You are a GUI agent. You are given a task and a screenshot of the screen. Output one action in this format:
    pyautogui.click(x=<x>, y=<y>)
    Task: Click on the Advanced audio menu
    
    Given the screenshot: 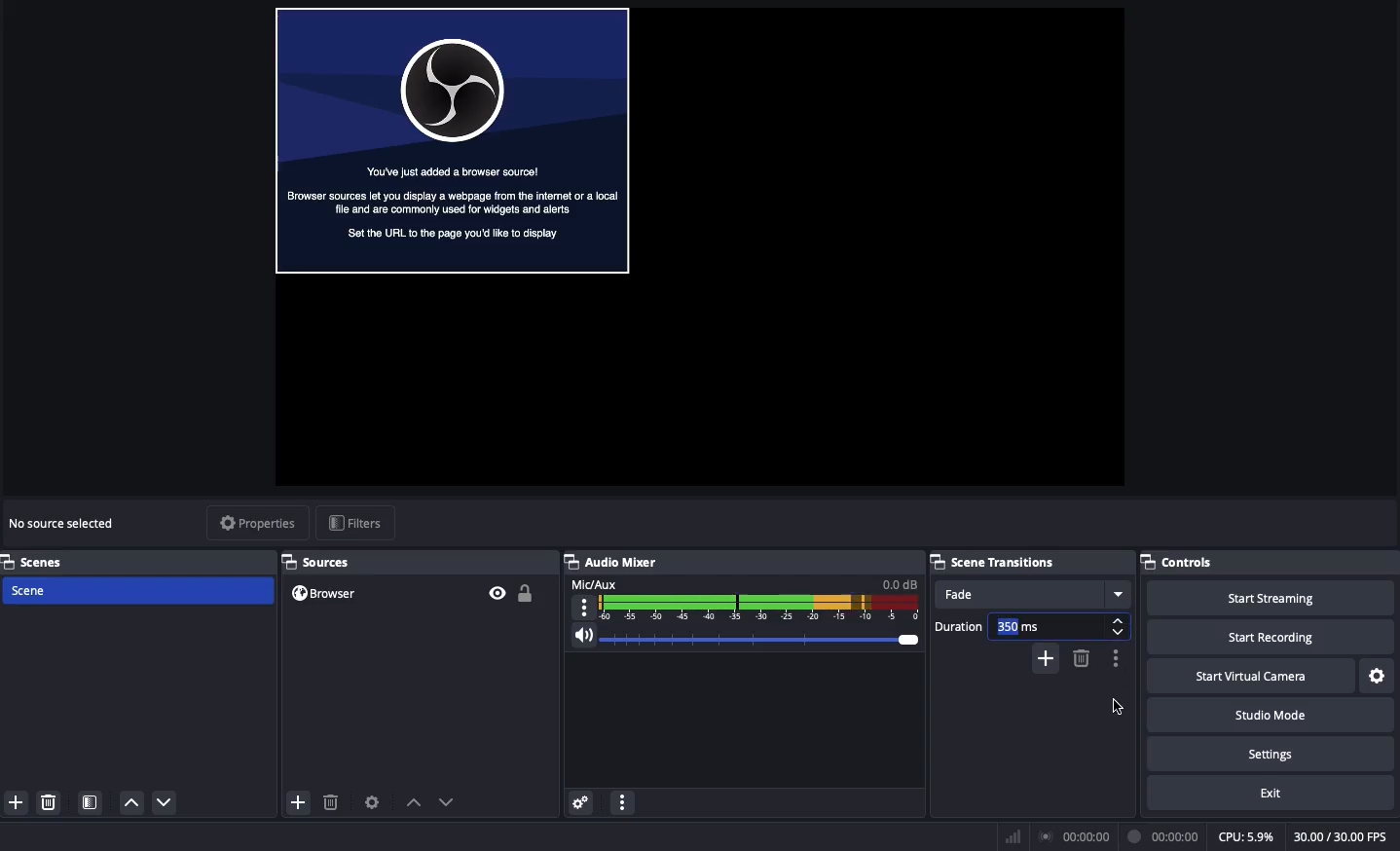 What is the action you would take?
    pyautogui.click(x=583, y=801)
    